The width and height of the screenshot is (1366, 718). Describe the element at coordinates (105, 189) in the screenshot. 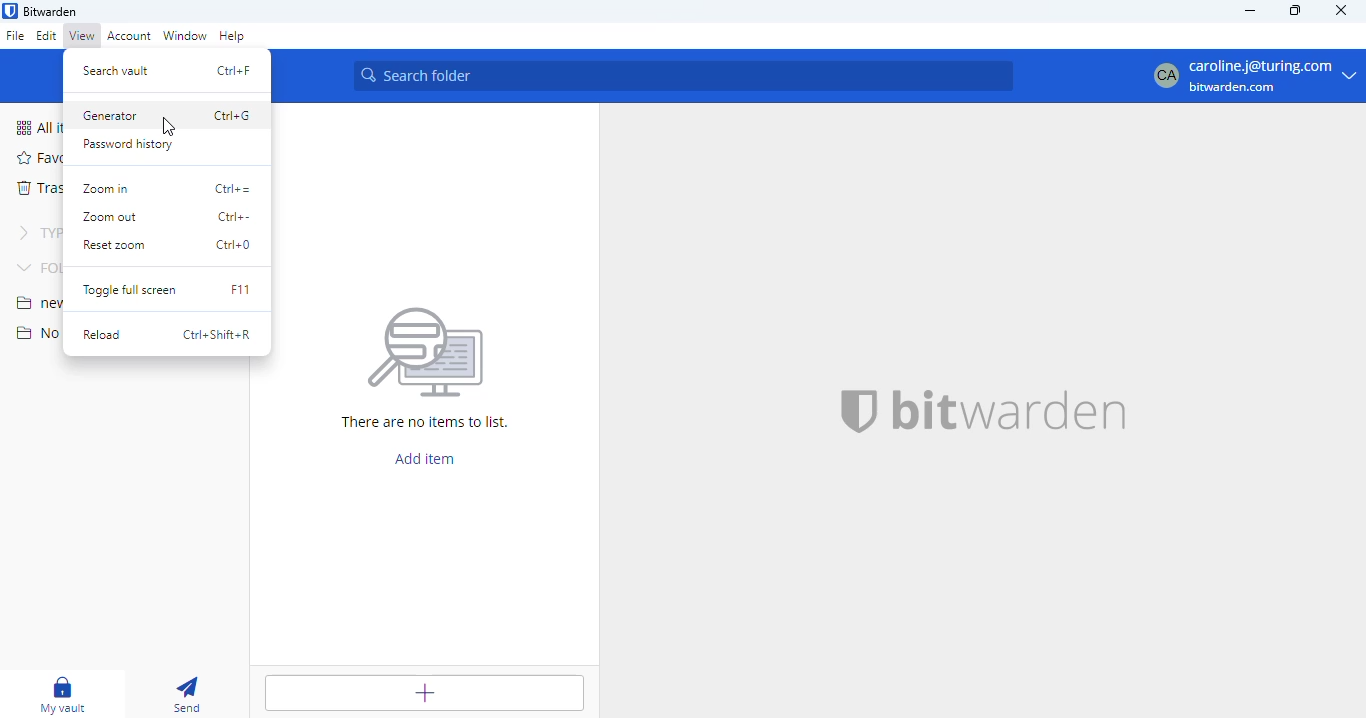

I see `zoom in` at that location.